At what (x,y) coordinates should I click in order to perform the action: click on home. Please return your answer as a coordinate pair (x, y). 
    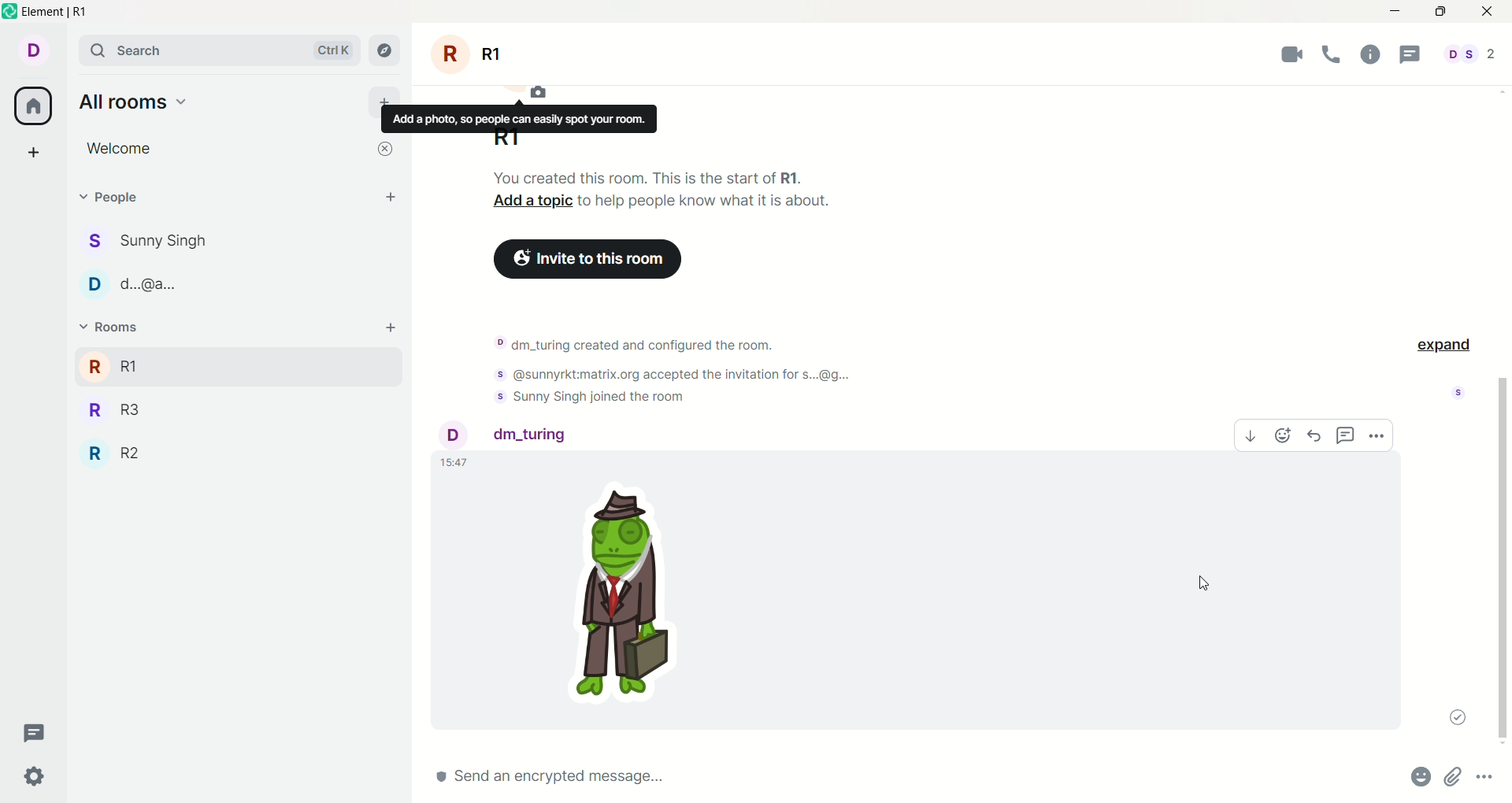
    Looking at the image, I should click on (32, 105).